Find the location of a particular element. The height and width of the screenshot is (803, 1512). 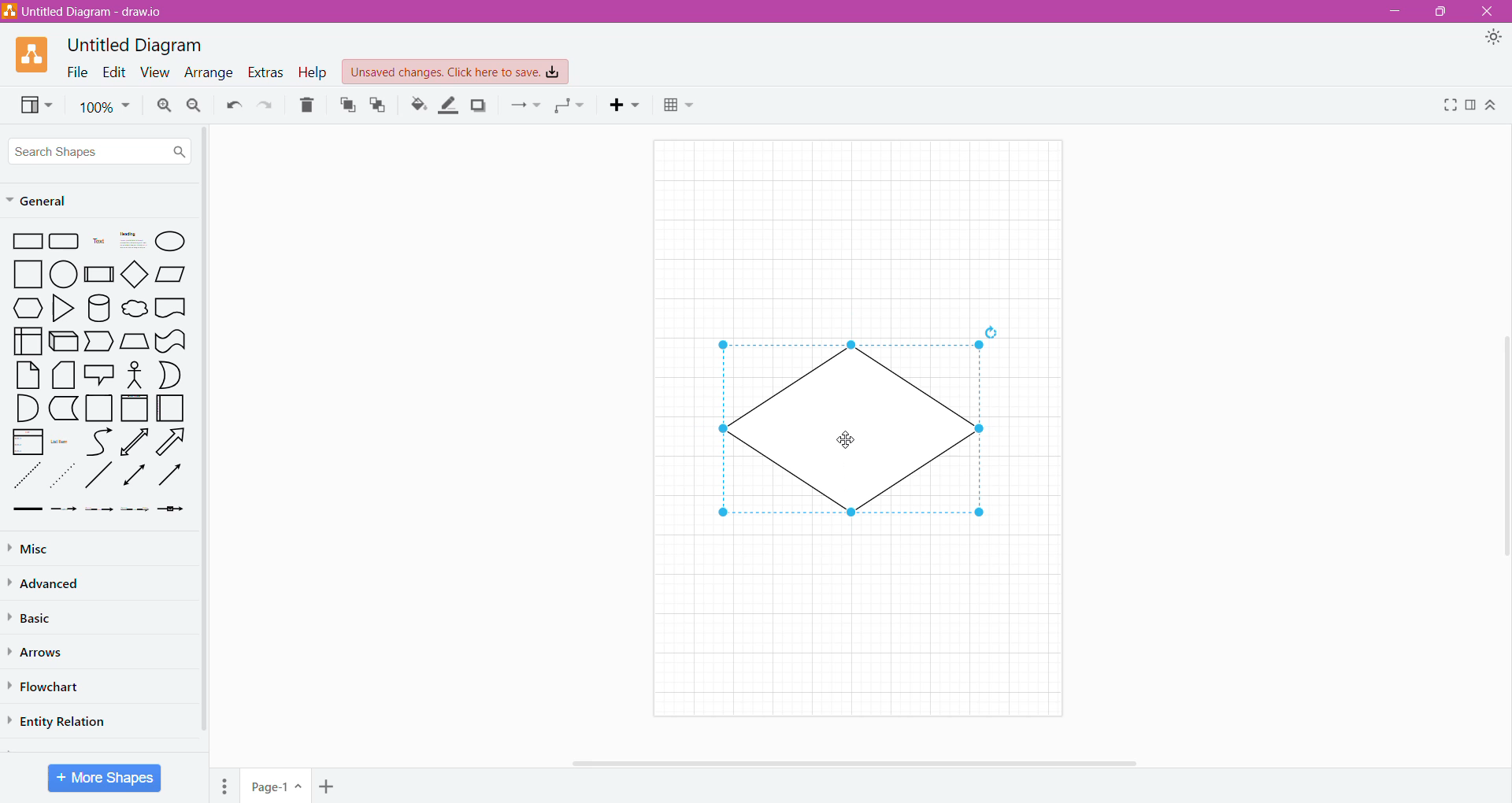

Untitled Diagram - draw.io is located at coordinates (89, 11).